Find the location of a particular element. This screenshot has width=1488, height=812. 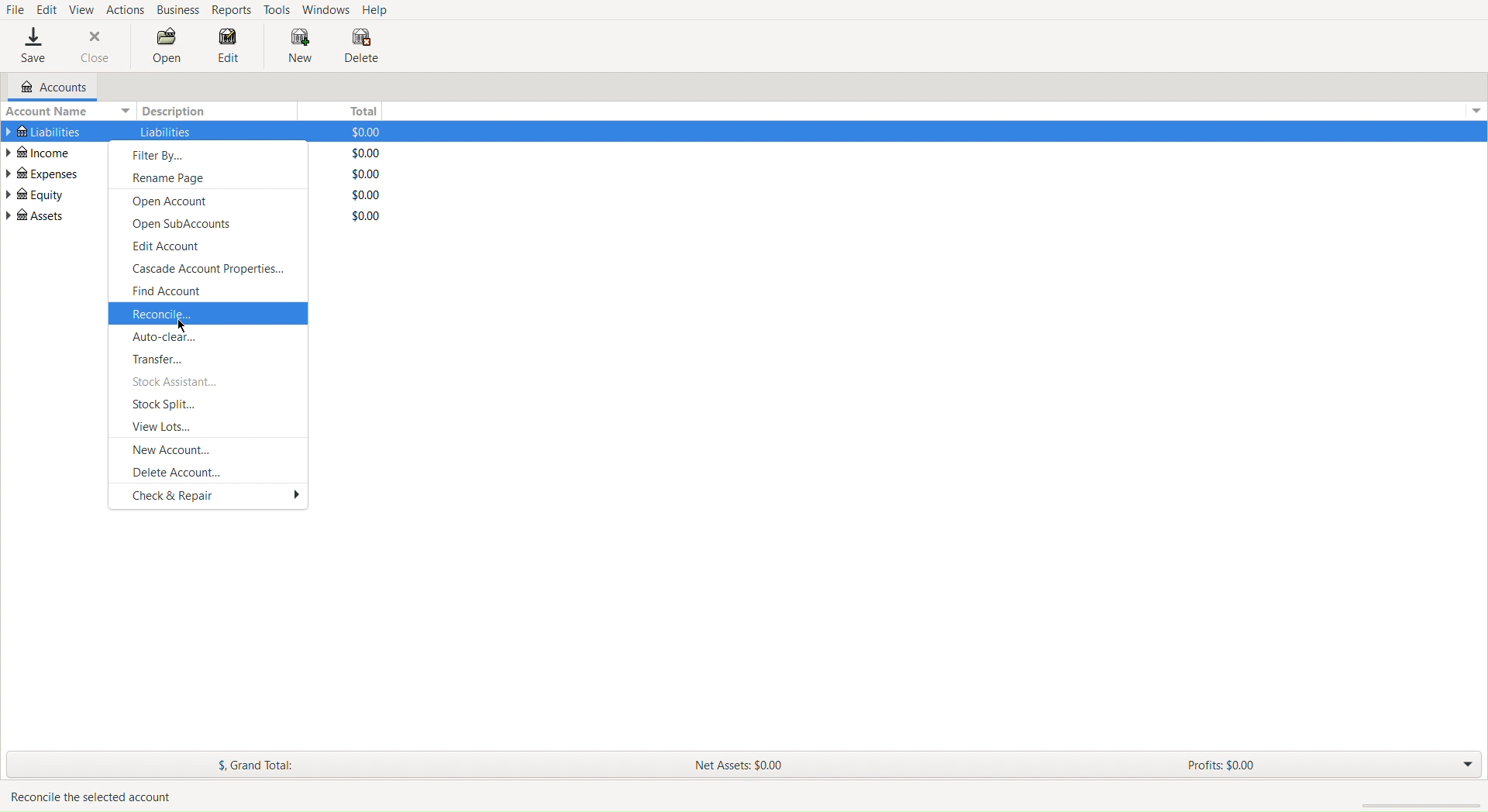

New is located at coordinates (298, 48).